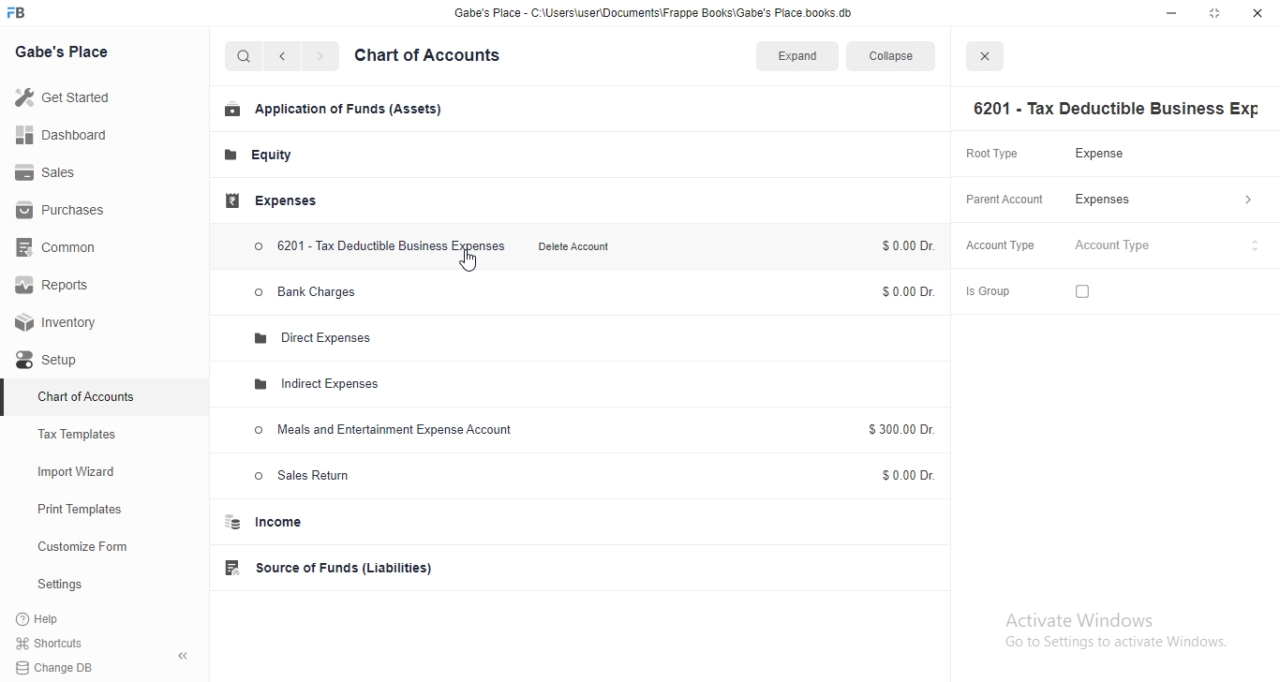 The image size is (1280, 682). Describe the element at coordinates (1000, 152) in the screenshot. I see `Root Type` at that location.